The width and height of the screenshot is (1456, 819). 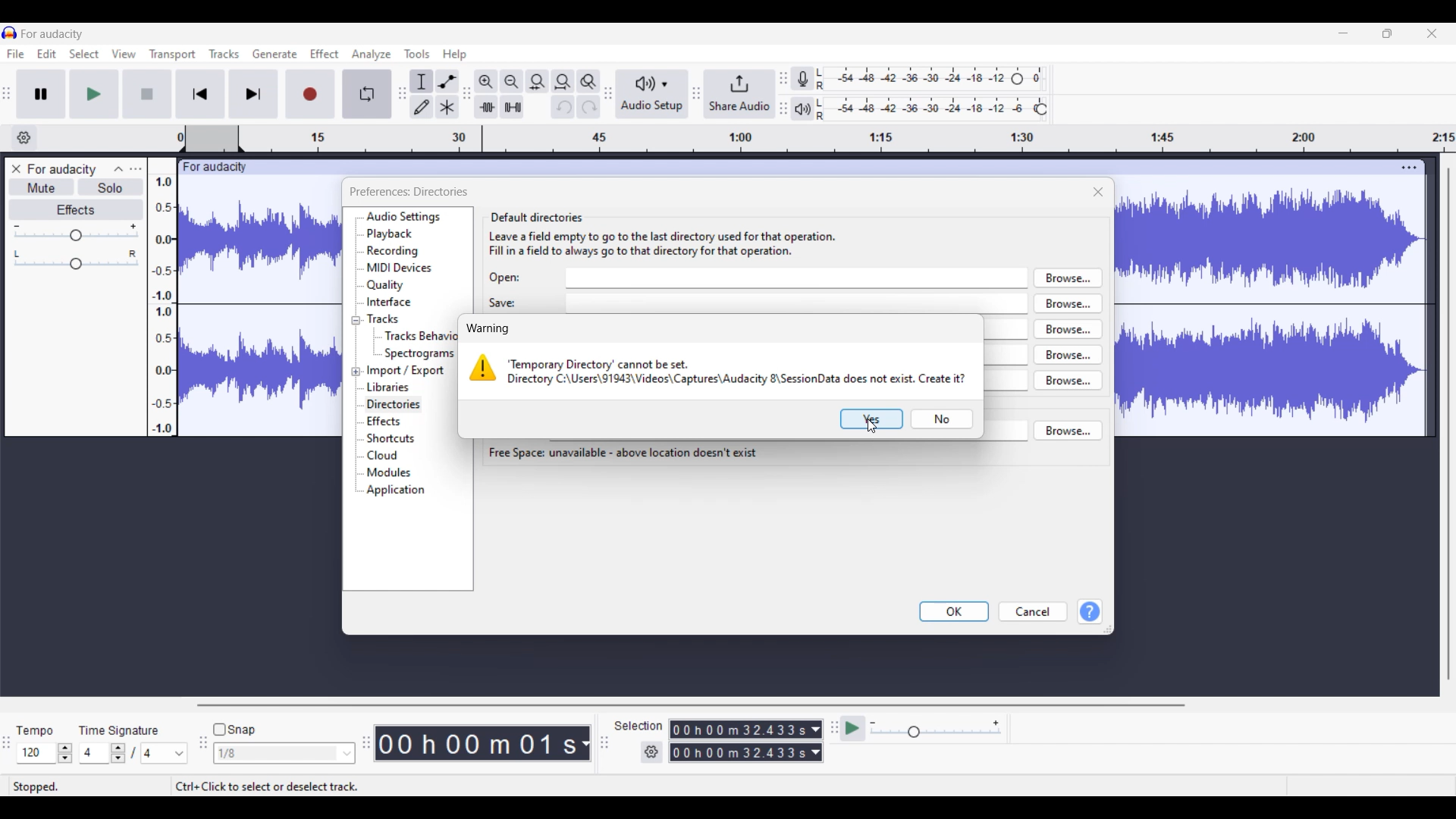 What do you see at coordinates (739, 741) in the screenshot?
I see `Selection duration` at bounding box center [739, 741].